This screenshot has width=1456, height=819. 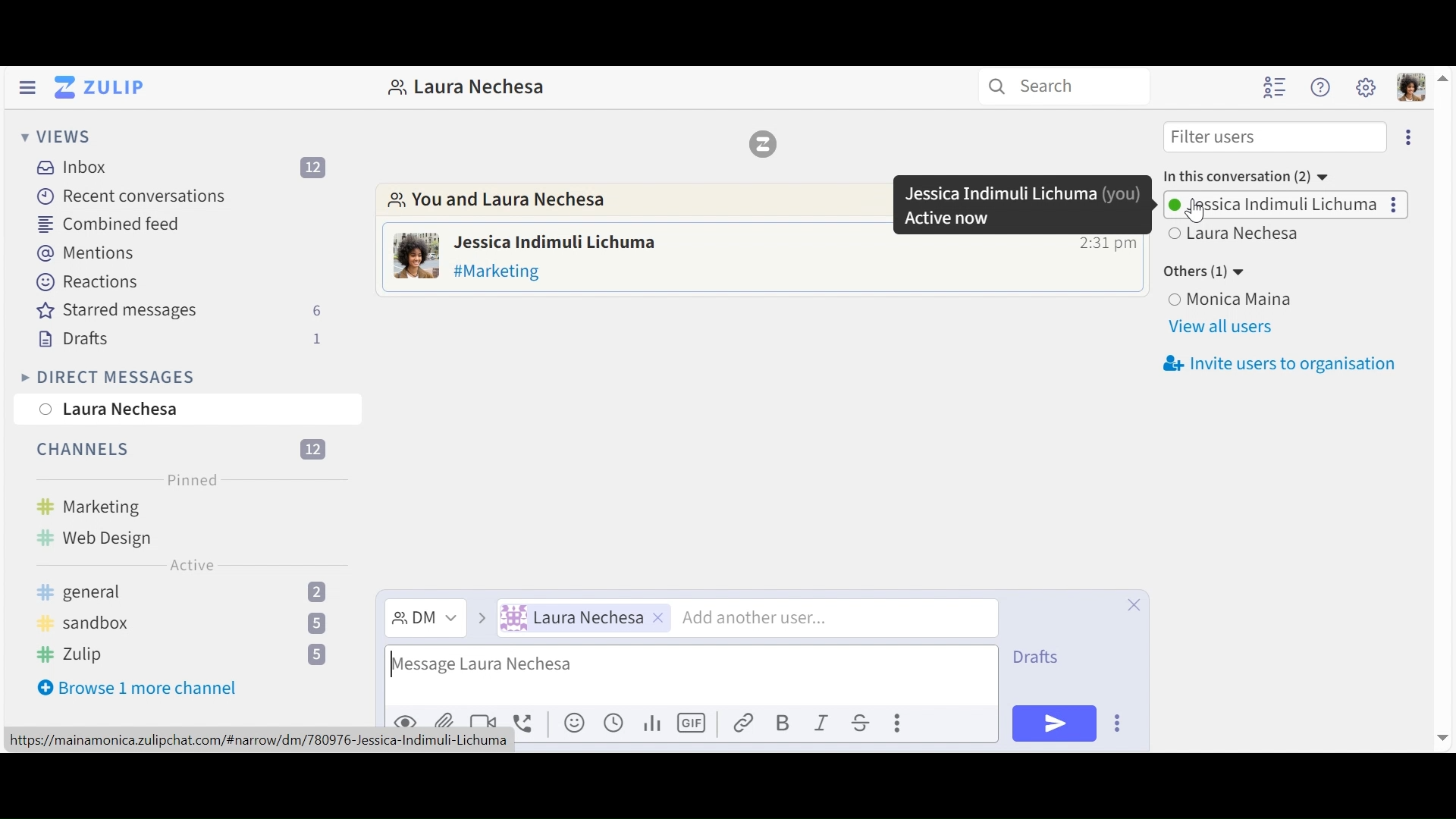 What do you see at coordinates (467, 87) in the screenshot?
I see `Direct message with this user` at bounding box center [467, 87].